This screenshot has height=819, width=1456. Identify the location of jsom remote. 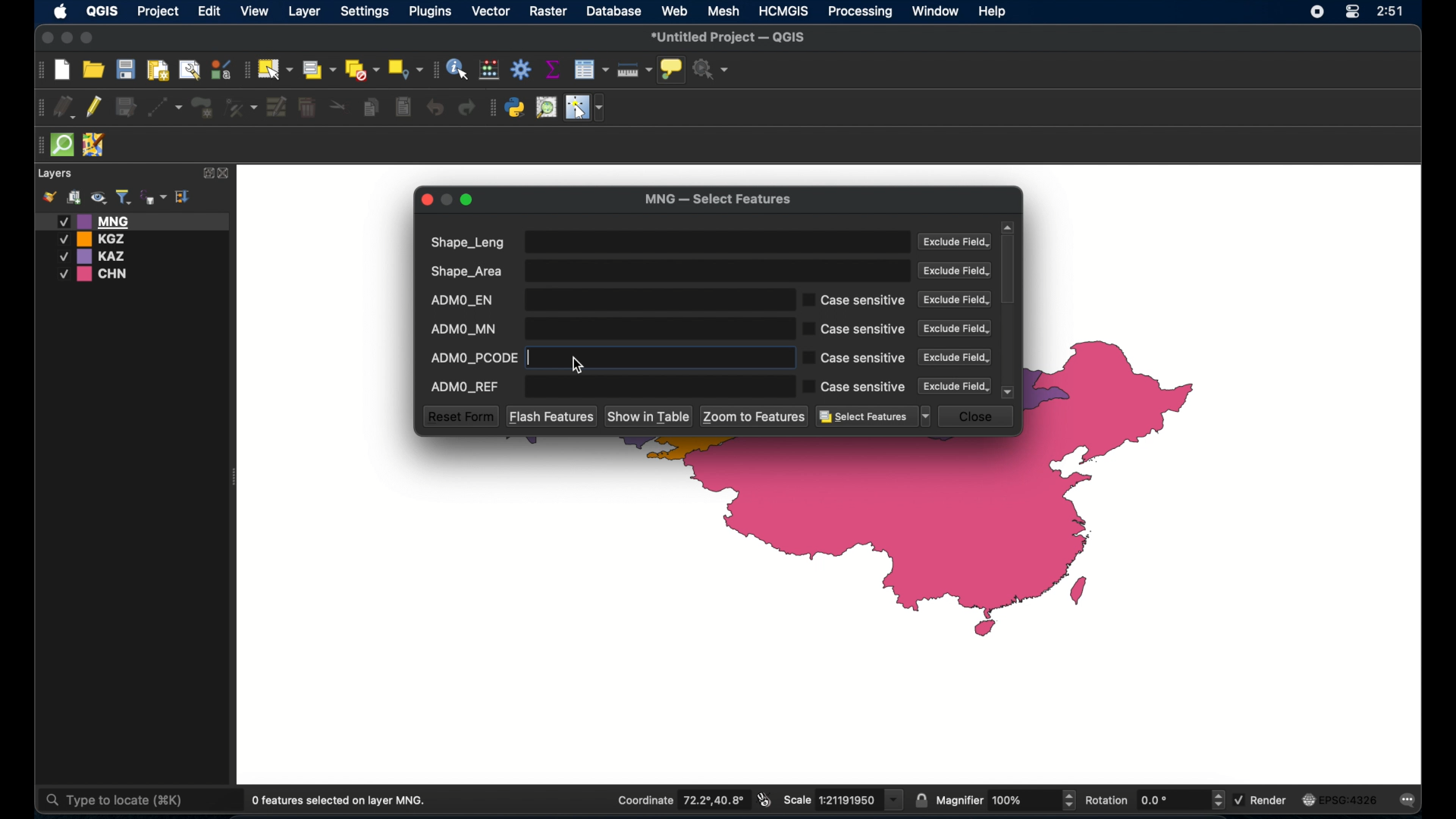
(96, 146).